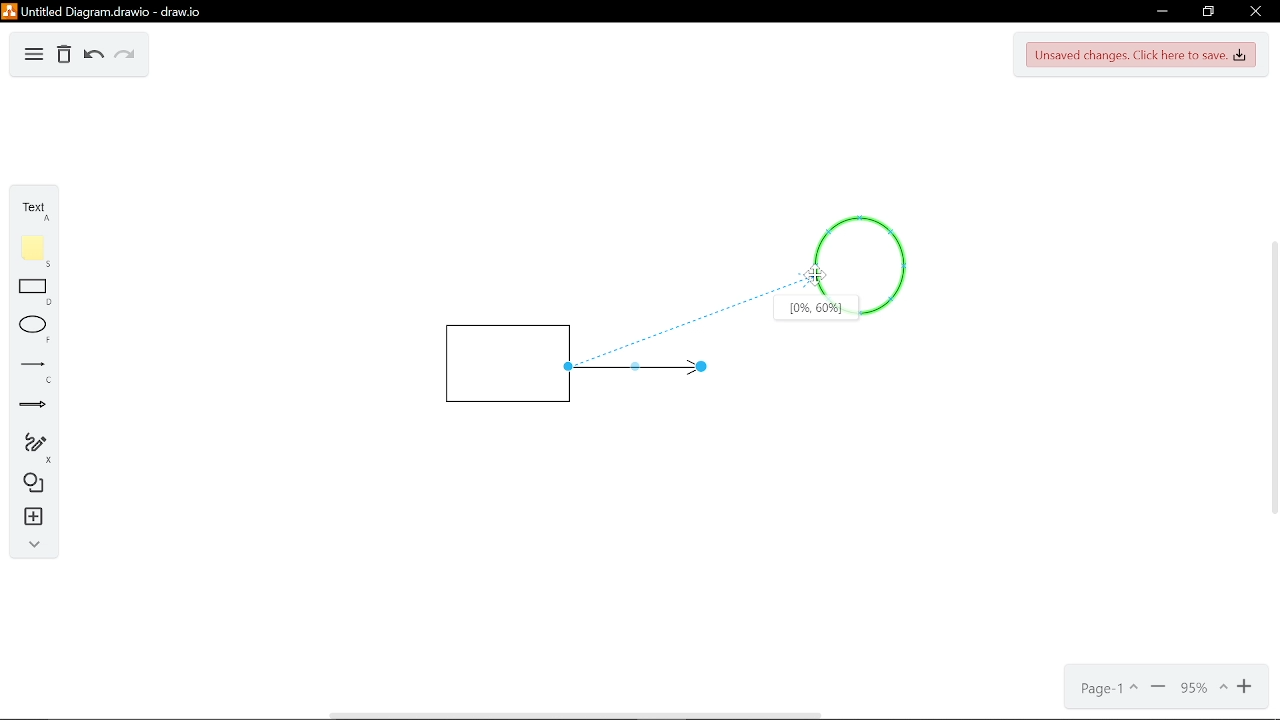 The width and height of the screenshot is (1280, 720). I want to click on Minimize, so click(1159, 689).